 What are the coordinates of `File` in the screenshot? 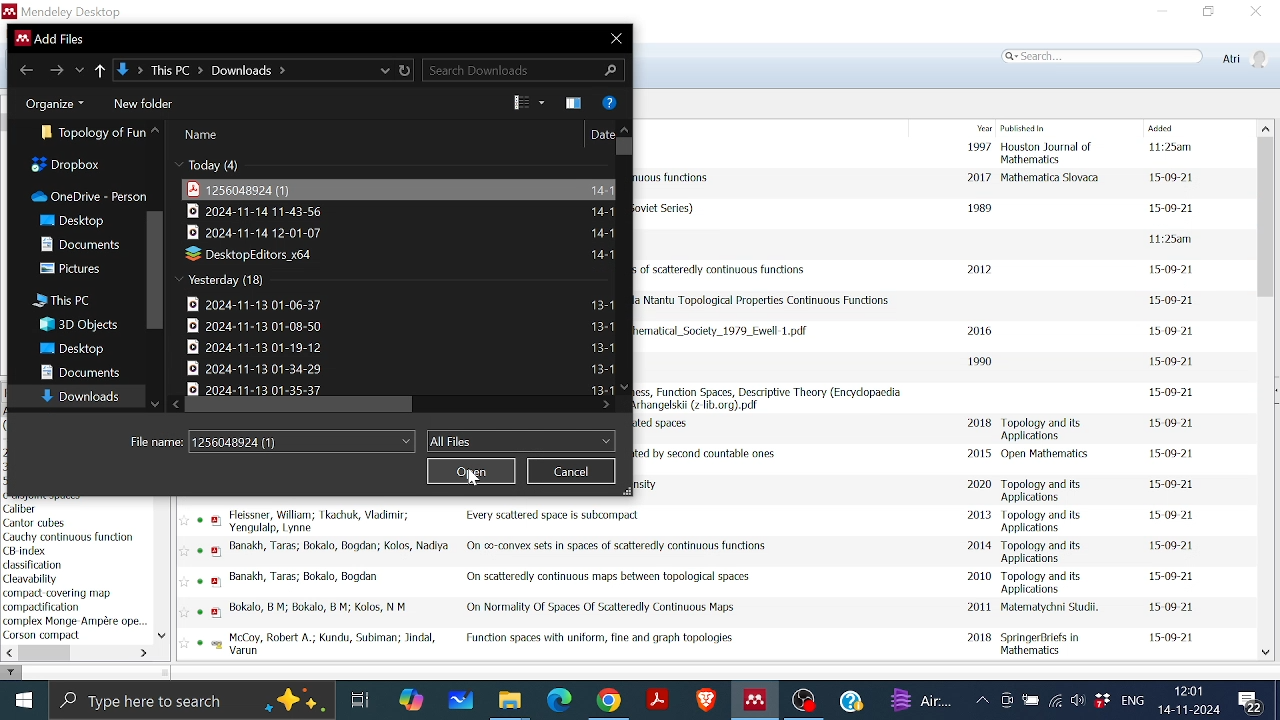 It's located at (254, 349).